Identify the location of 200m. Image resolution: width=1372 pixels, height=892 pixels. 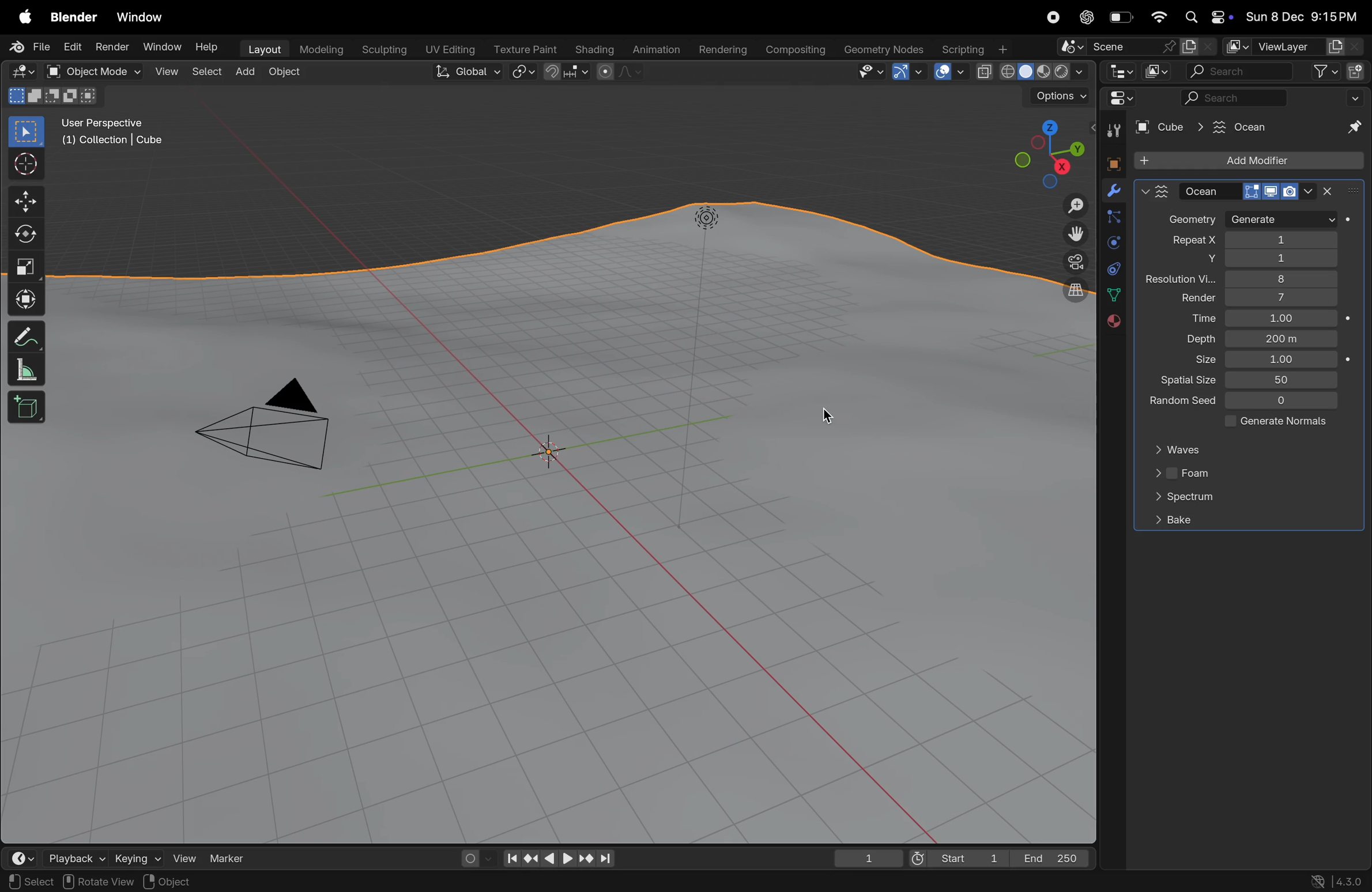
(1283, 339).